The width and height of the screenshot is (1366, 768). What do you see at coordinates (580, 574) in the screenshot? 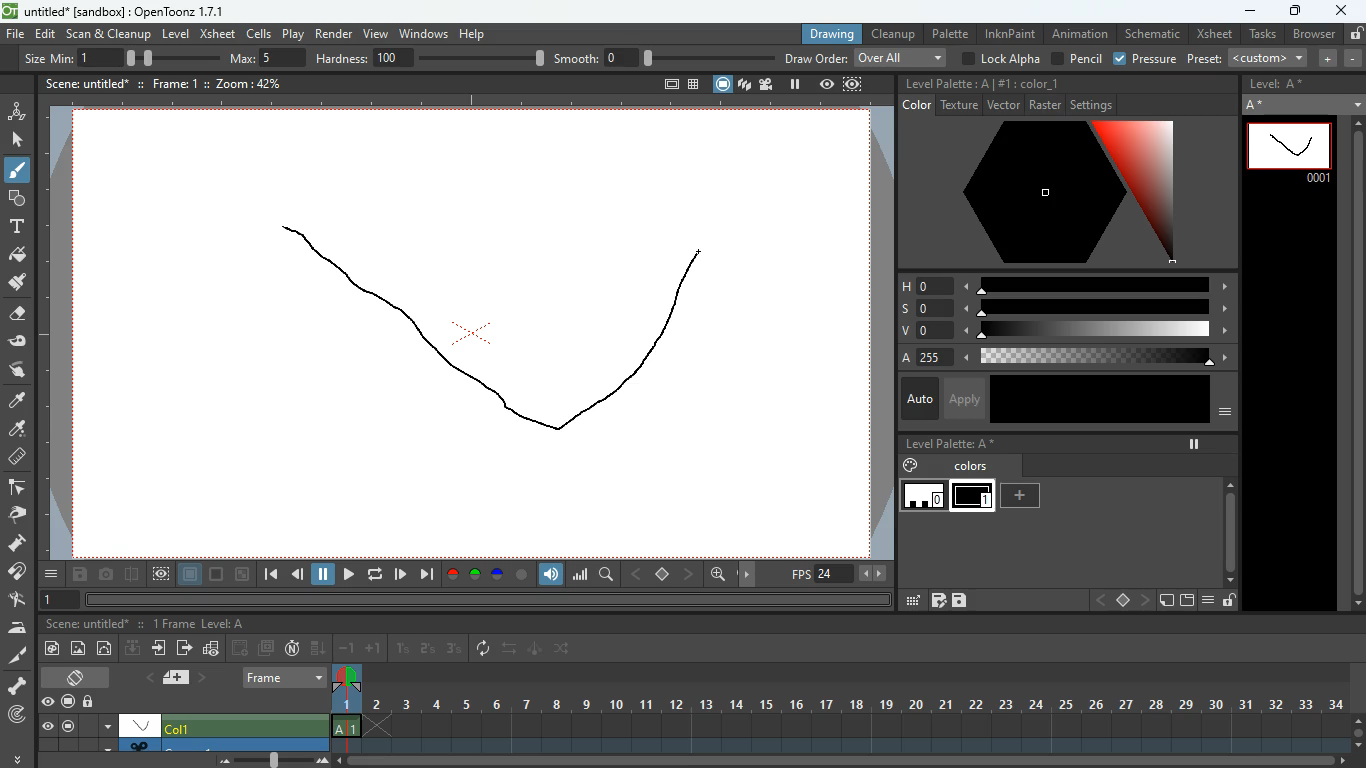
I see `graph` at bounding box center [580, 574].